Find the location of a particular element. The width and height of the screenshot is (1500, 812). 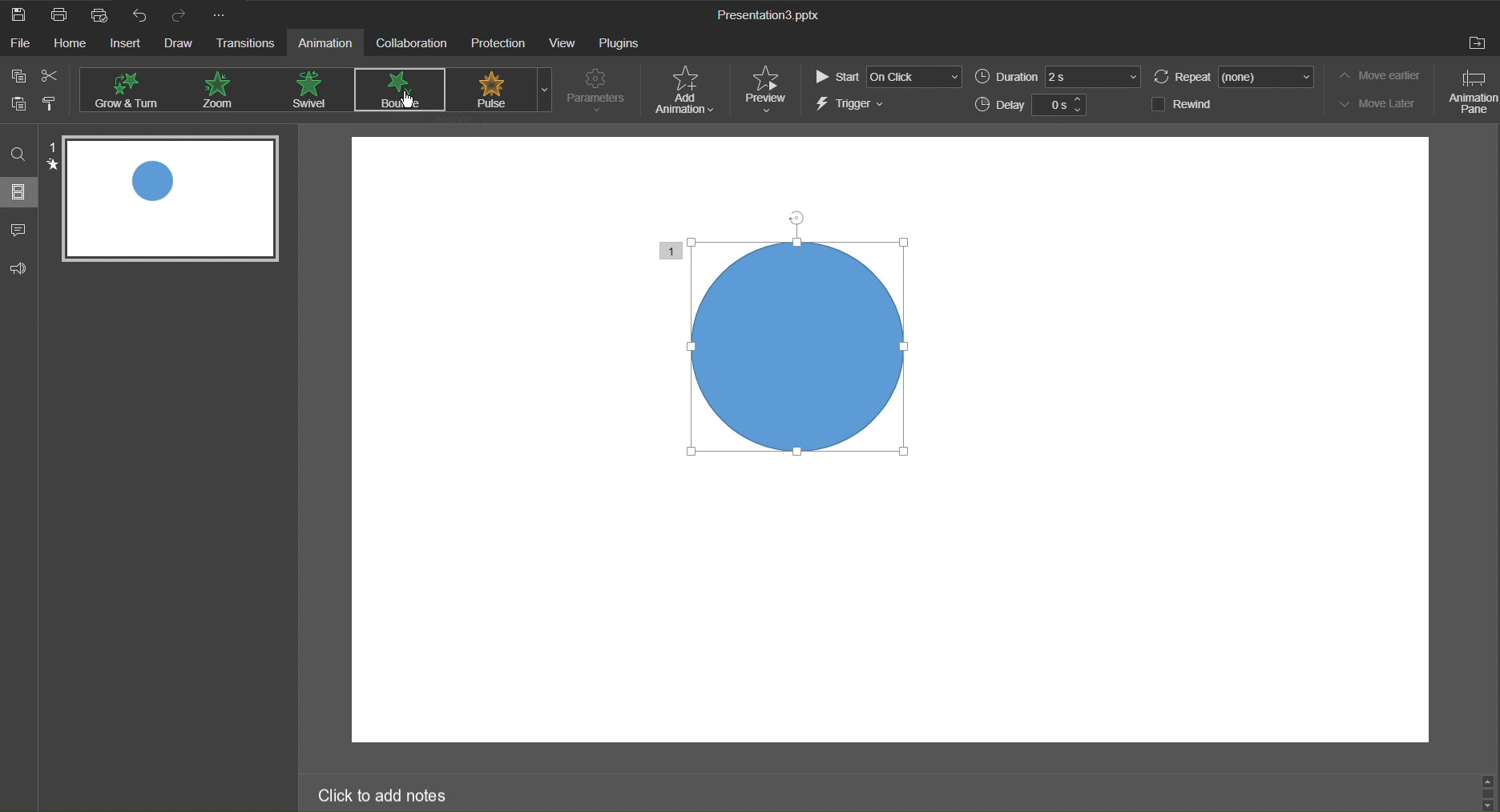

Insert is located at coordinates (129, 43).